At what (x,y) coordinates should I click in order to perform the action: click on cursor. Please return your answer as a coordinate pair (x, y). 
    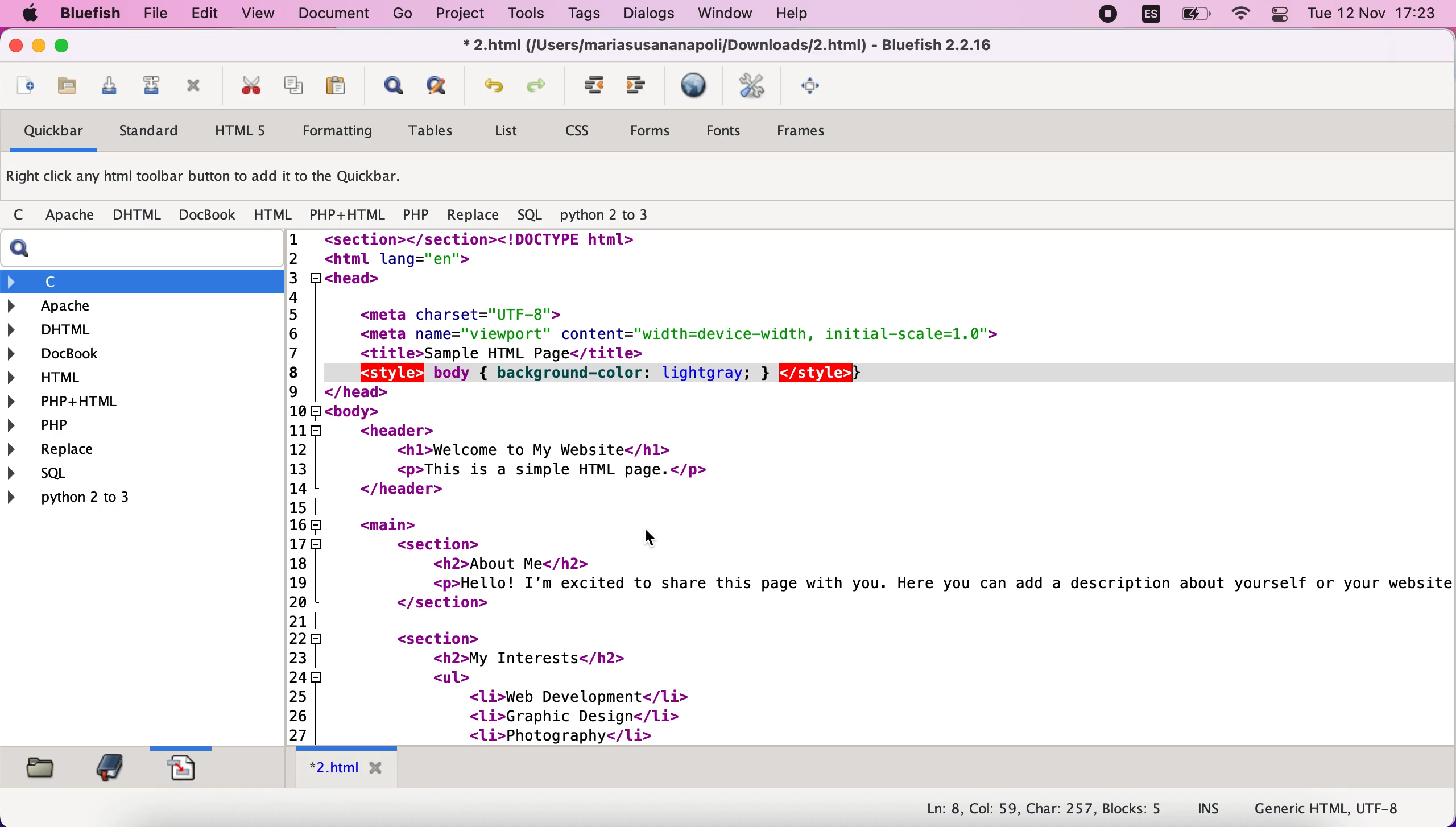
    Looking at the image, I should click on (648, 535).